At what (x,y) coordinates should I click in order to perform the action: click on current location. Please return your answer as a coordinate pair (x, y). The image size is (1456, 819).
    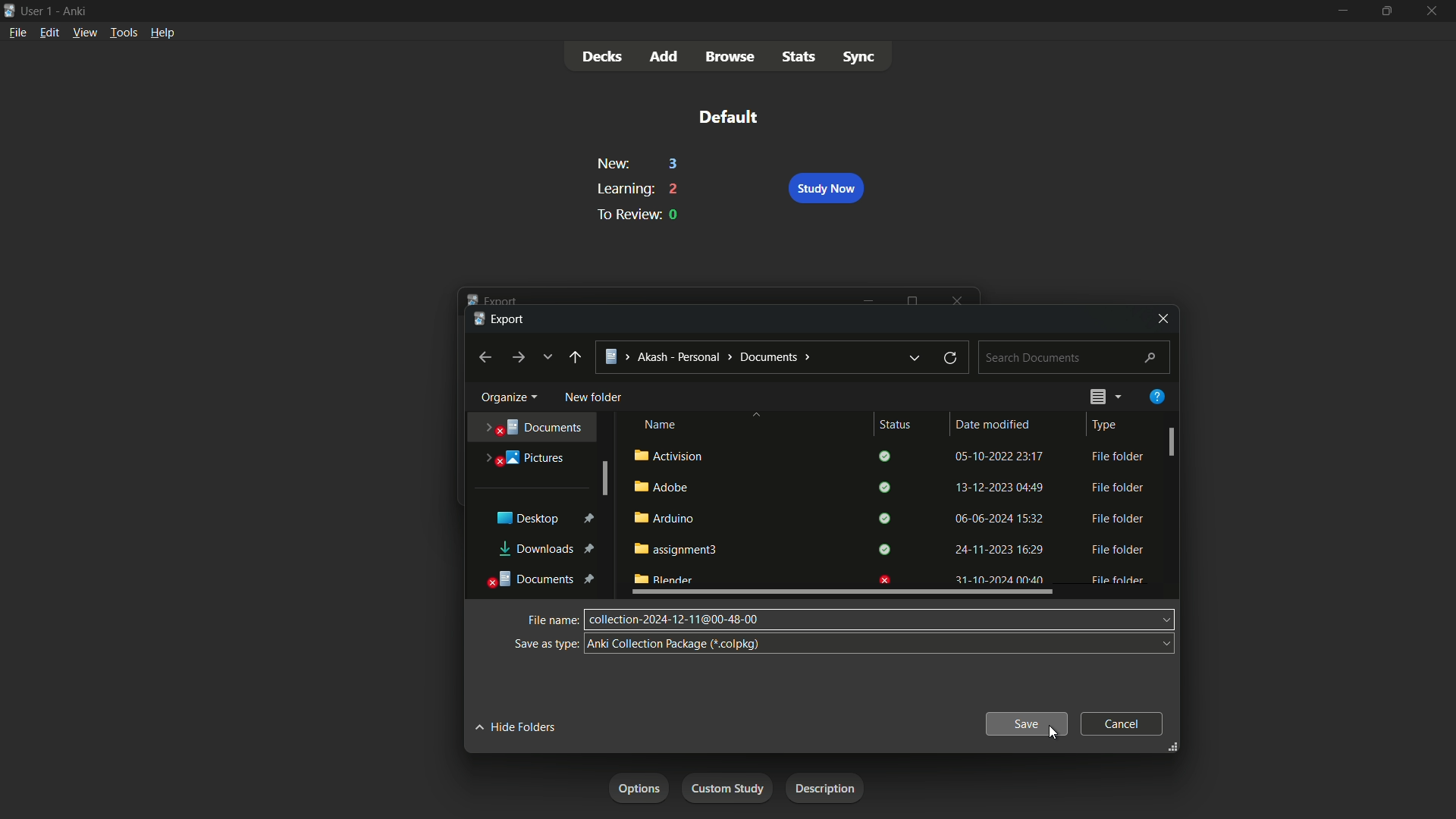
    Looking at the image, I should click on (711, 356).